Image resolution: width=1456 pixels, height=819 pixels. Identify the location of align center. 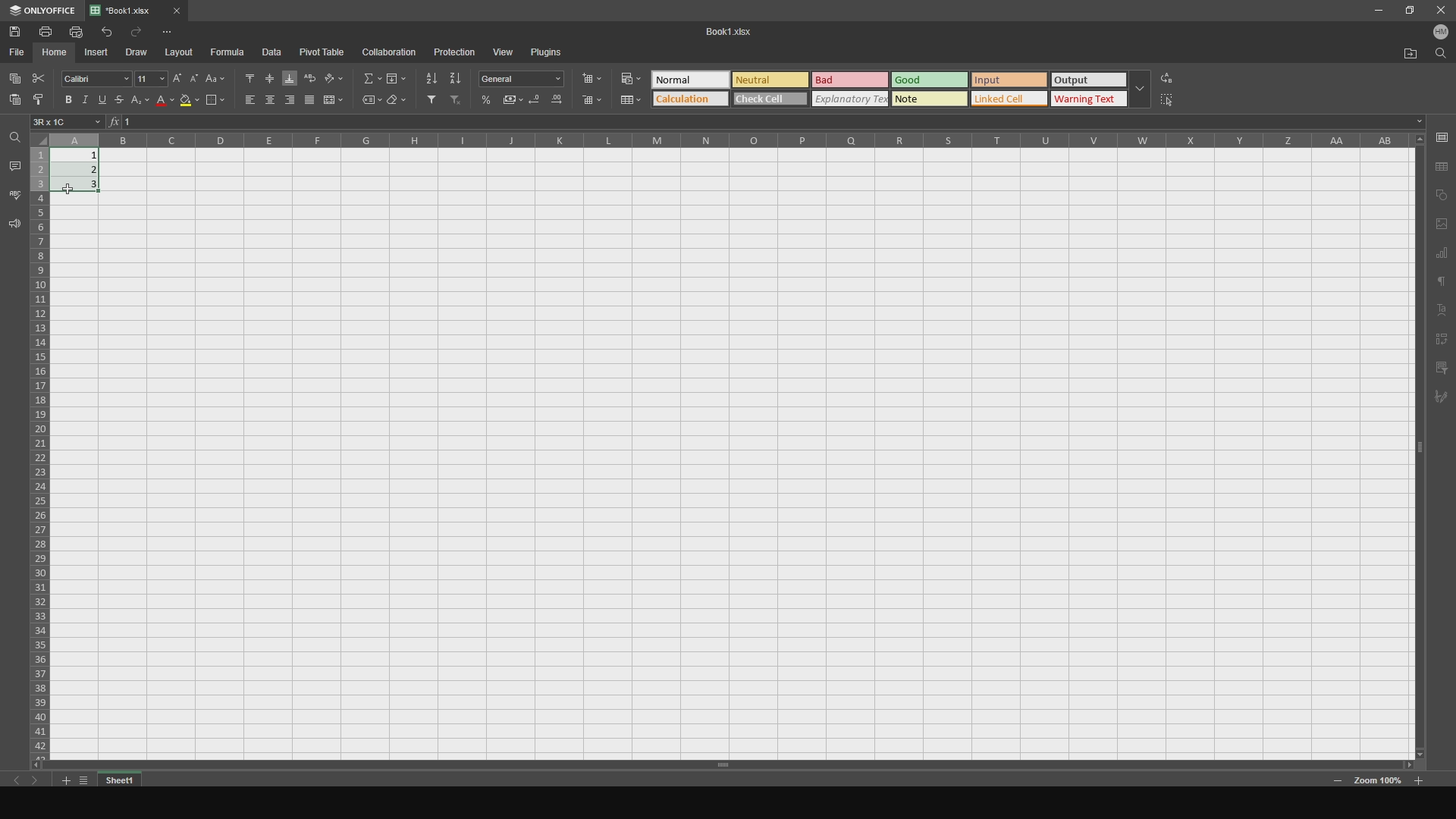
(268, 100).